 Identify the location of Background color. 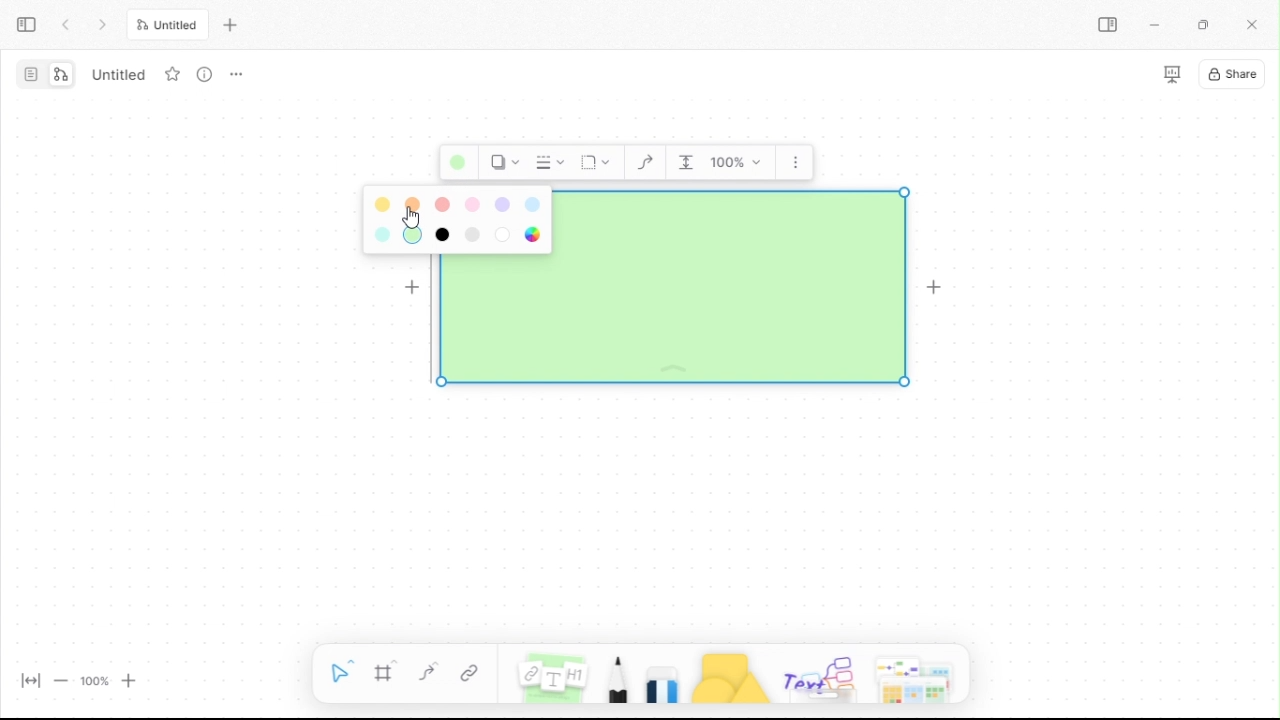
(458, 163).